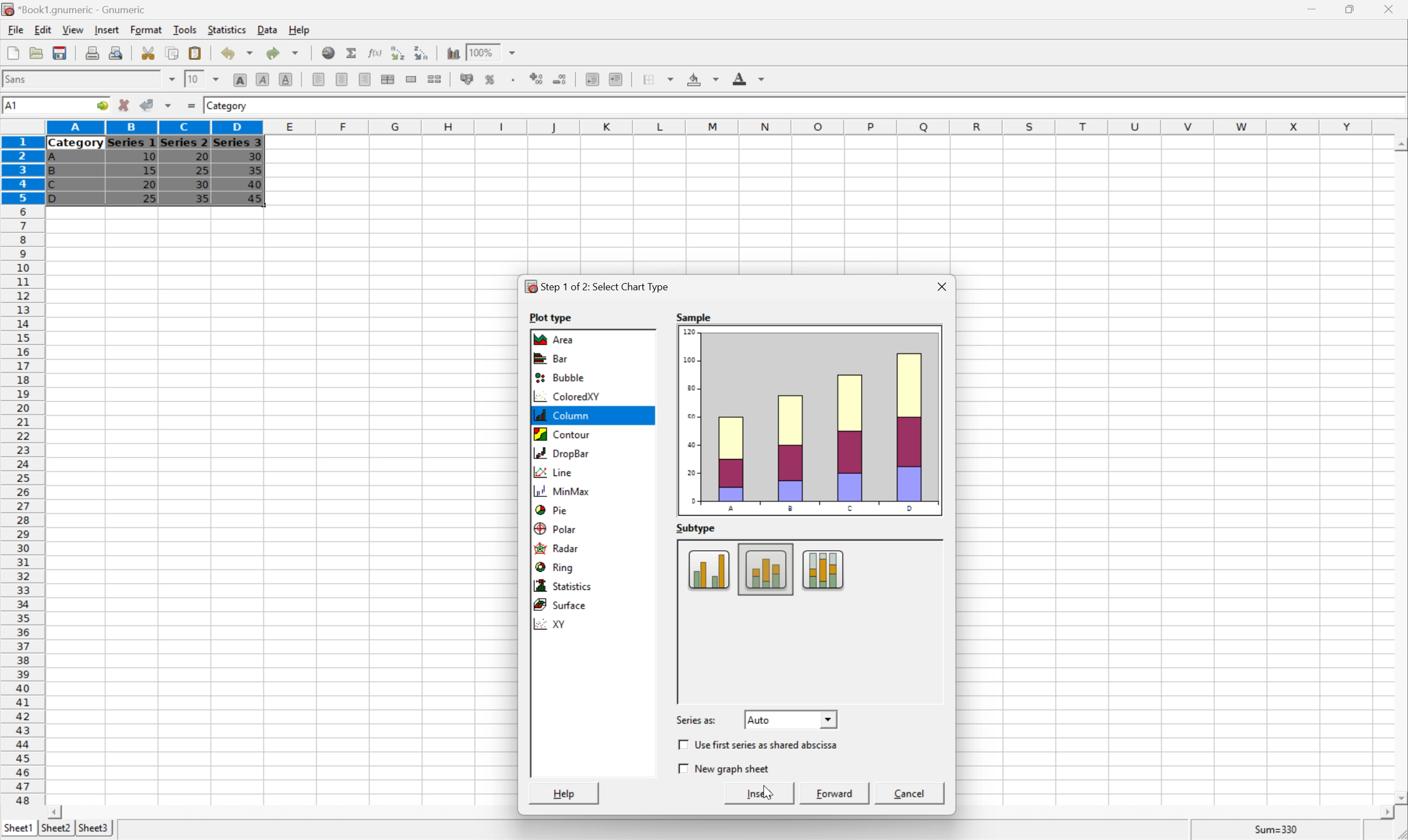 The width and height of the screenshot is (1408, 840). I want to click on Insert a chart, so click(501, 77).